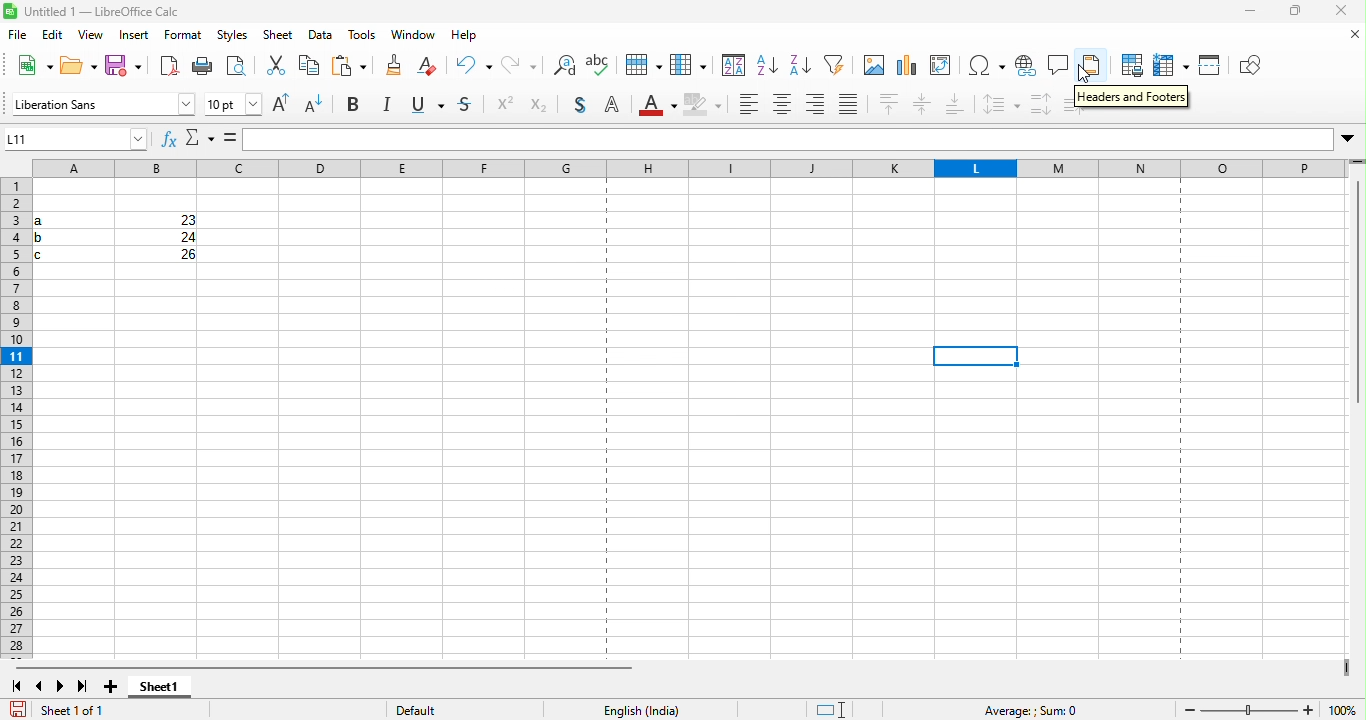 The height and width of the screenshot is (720, 1366). What do you see at coordinates (359, 105) in the screenshot?
I see `bold` at bounding box center [359, 105].